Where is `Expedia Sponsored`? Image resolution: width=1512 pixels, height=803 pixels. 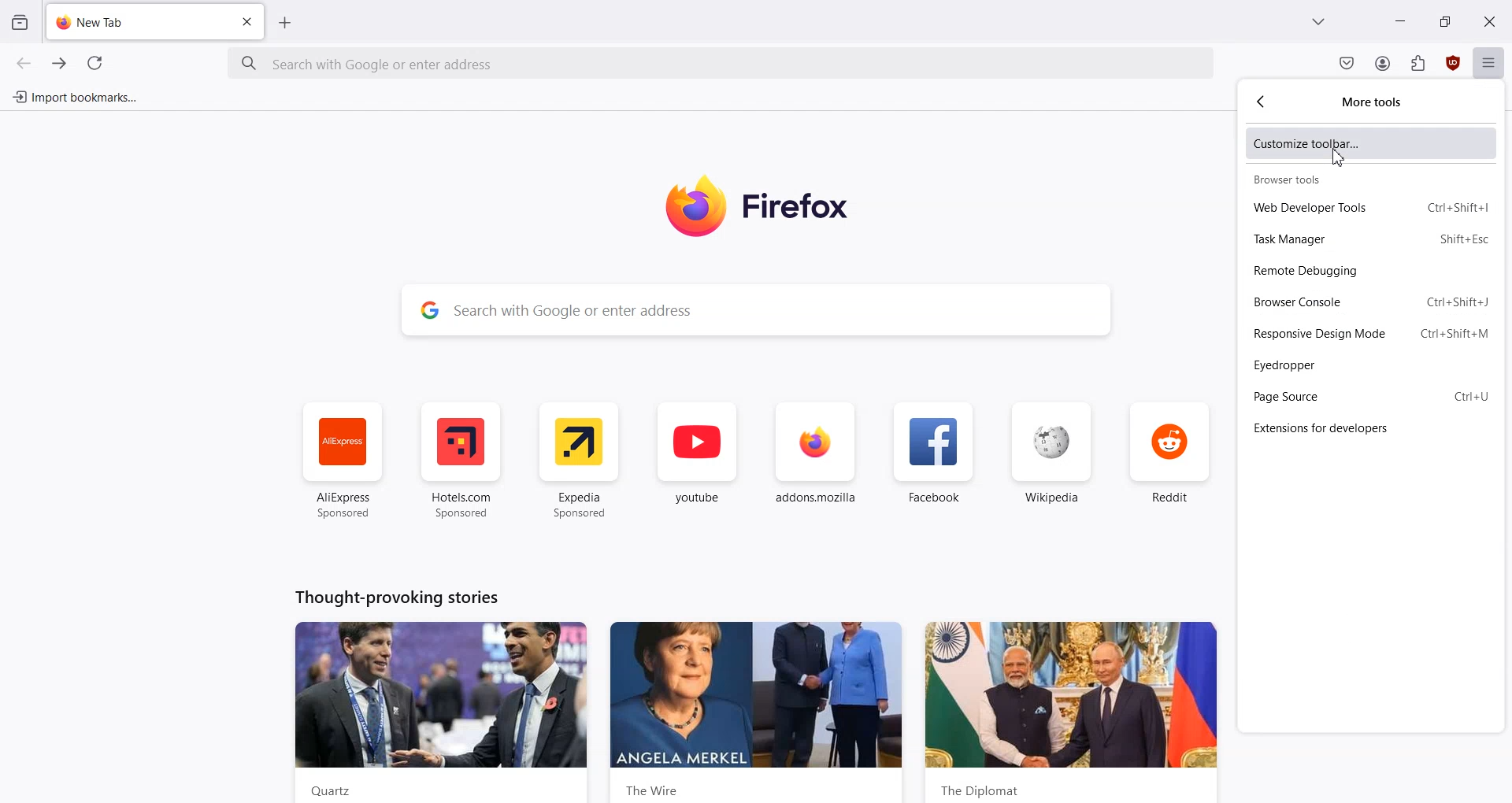 Expedia Sponsored is located at coordinates (580, 460).